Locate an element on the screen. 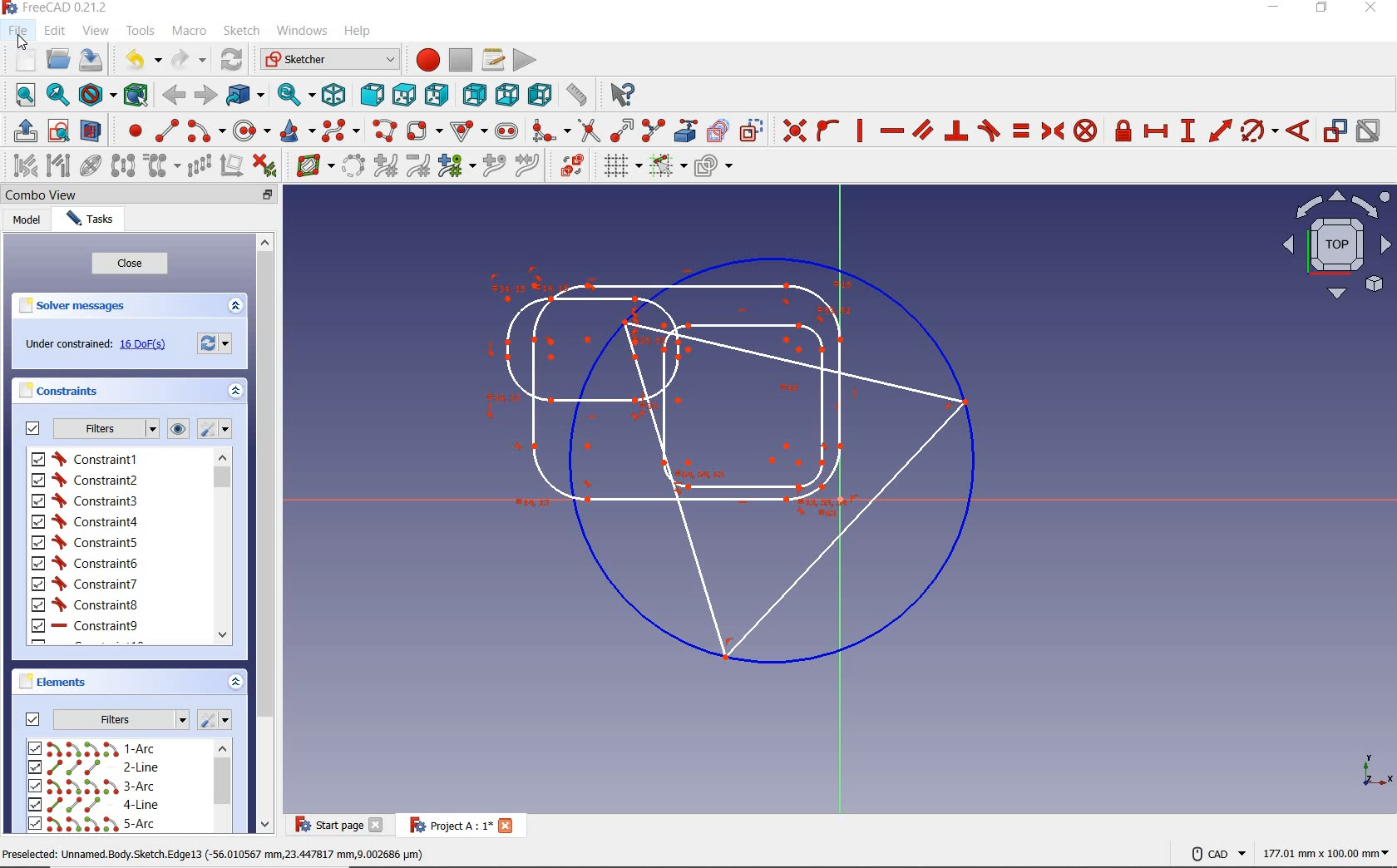 The height and width of the screenshot is (868, 1397). view section is located at coordinates (93, 131).